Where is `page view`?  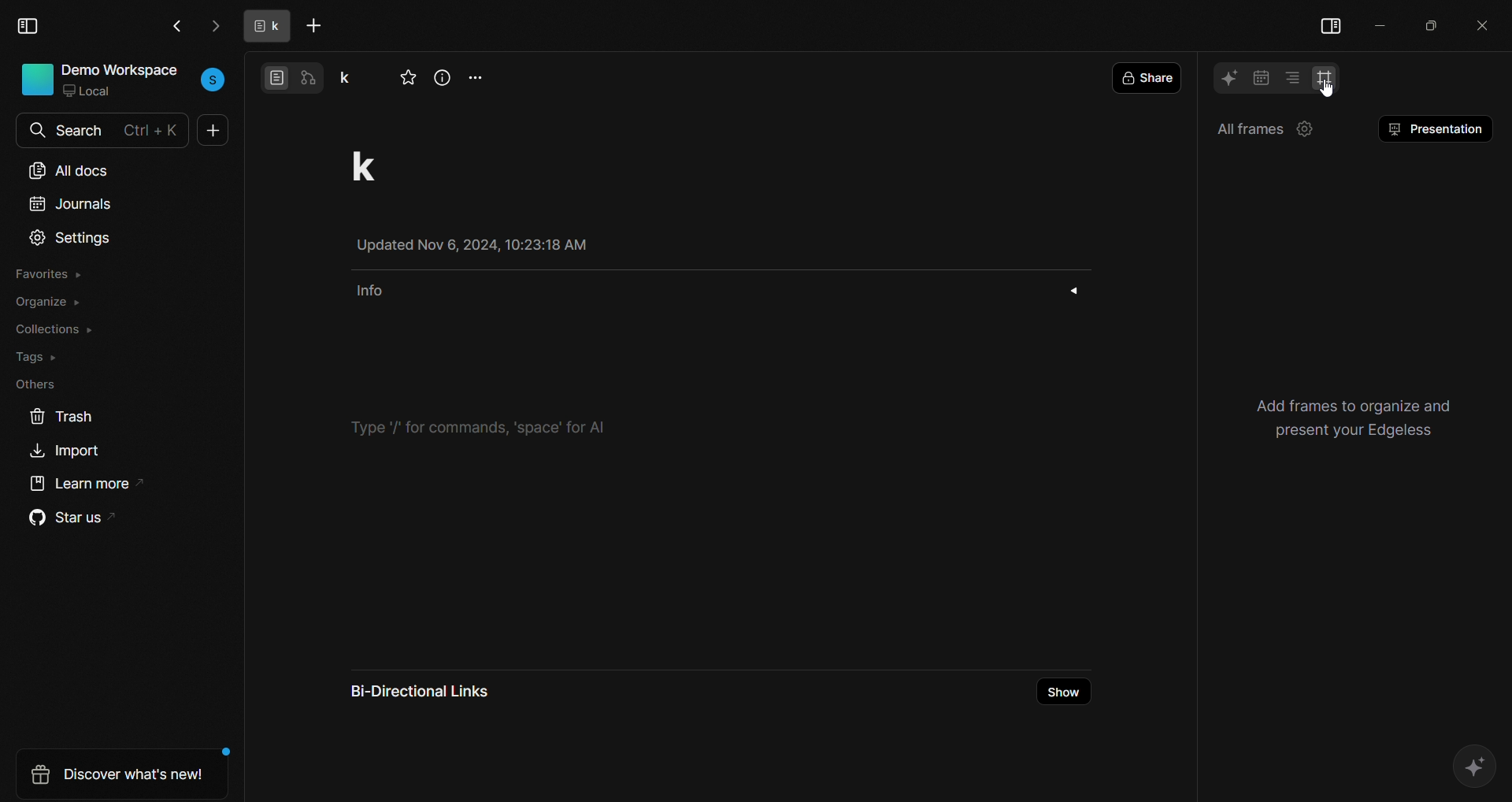
page view is located at coordinates (276, 76).